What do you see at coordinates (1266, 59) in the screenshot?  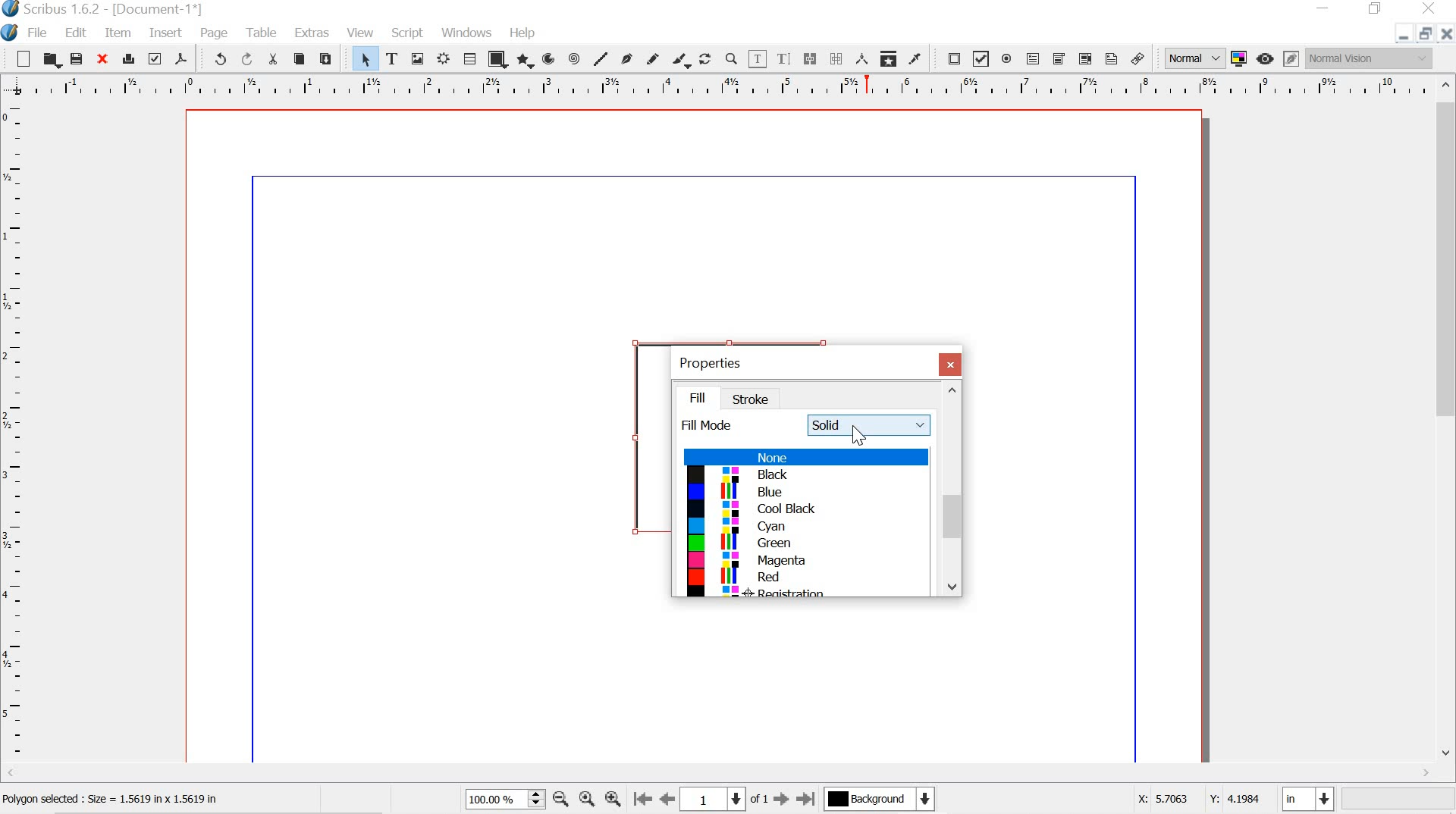 I see `preview mode` at bounding box center [1266, 59].